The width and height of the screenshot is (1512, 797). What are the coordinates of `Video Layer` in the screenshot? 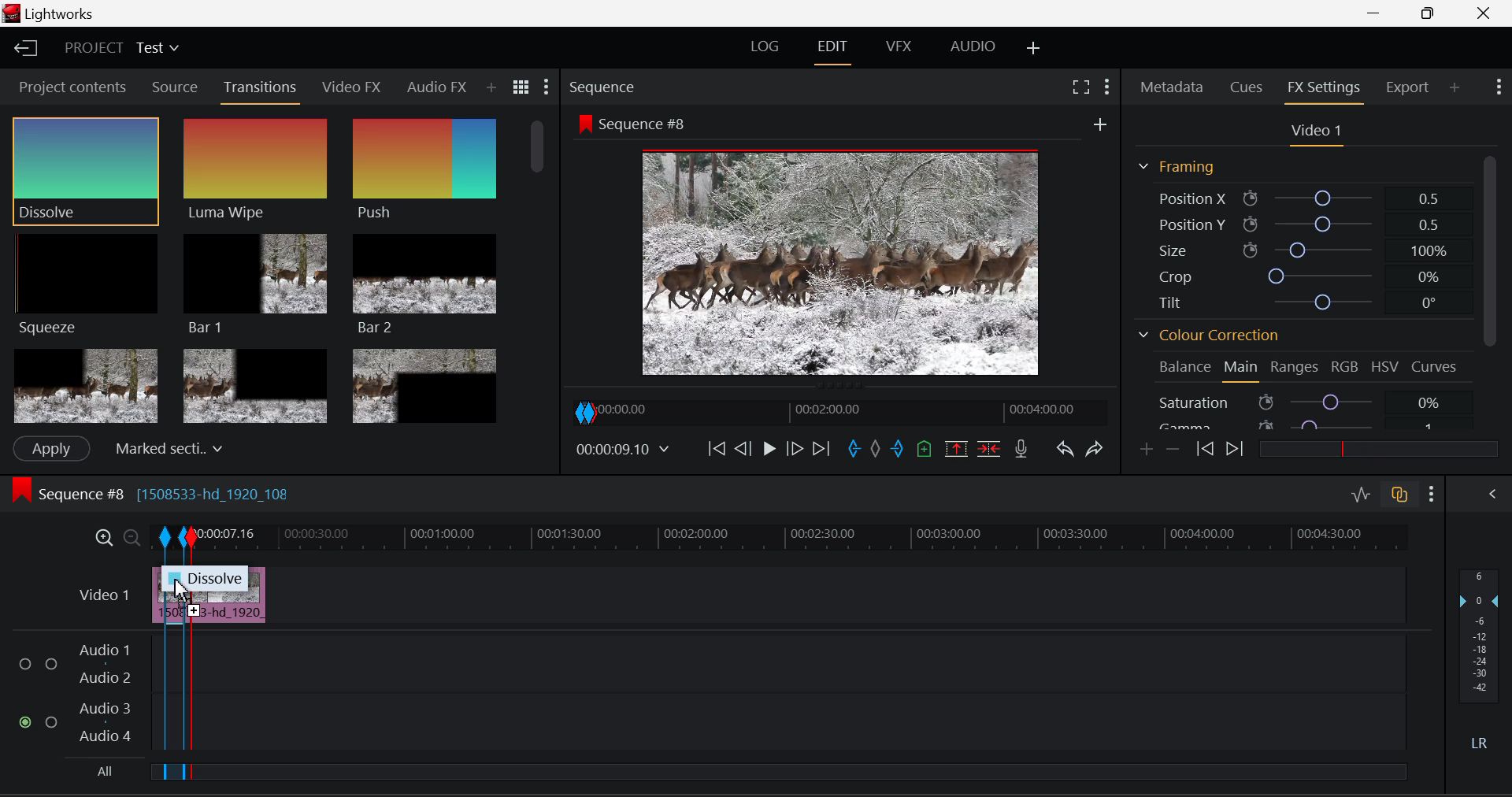 It's located at (104, 595).